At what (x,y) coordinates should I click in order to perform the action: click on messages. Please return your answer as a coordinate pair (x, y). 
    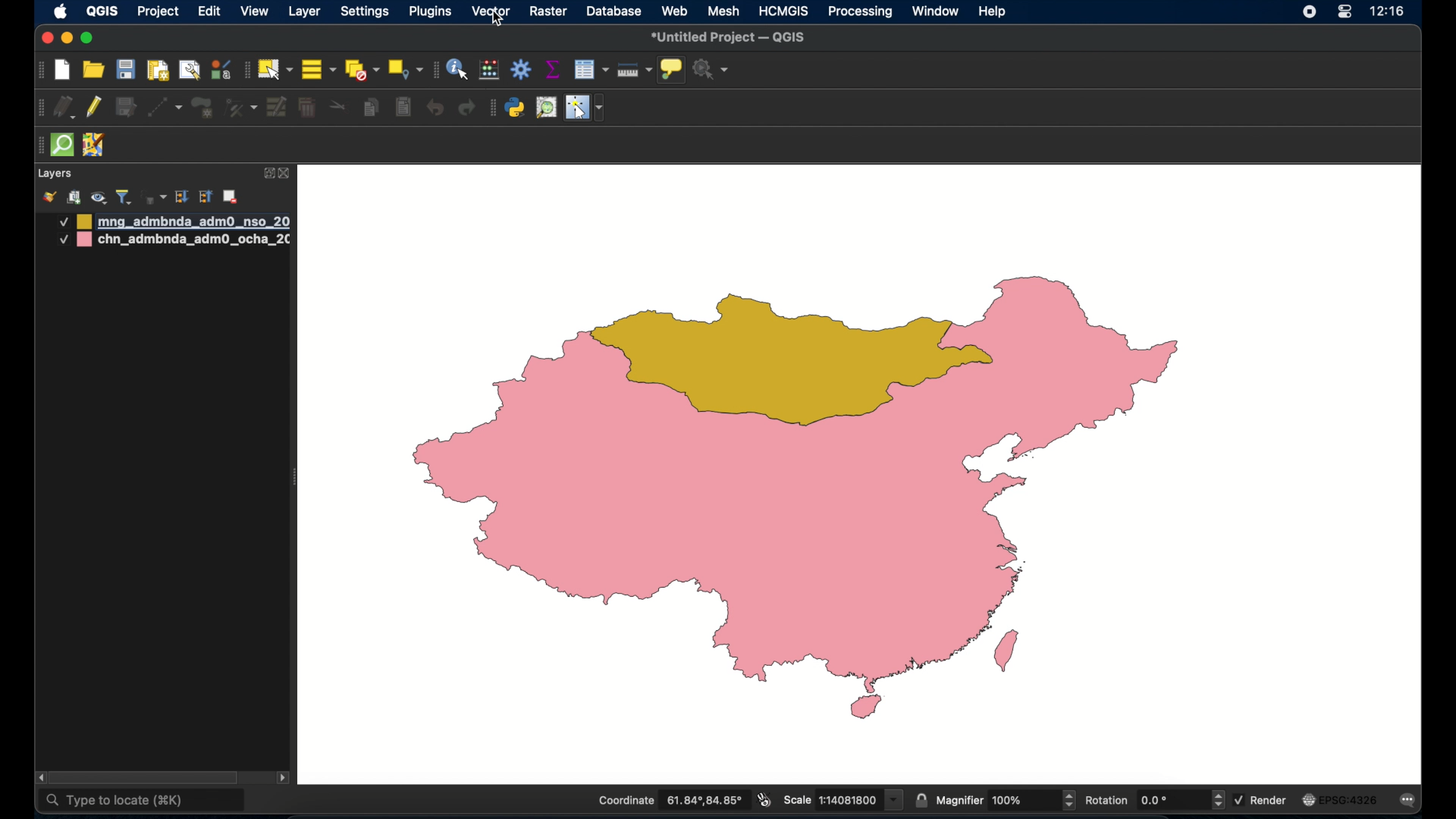
    Looking at the image, I should click on (1410, 802).